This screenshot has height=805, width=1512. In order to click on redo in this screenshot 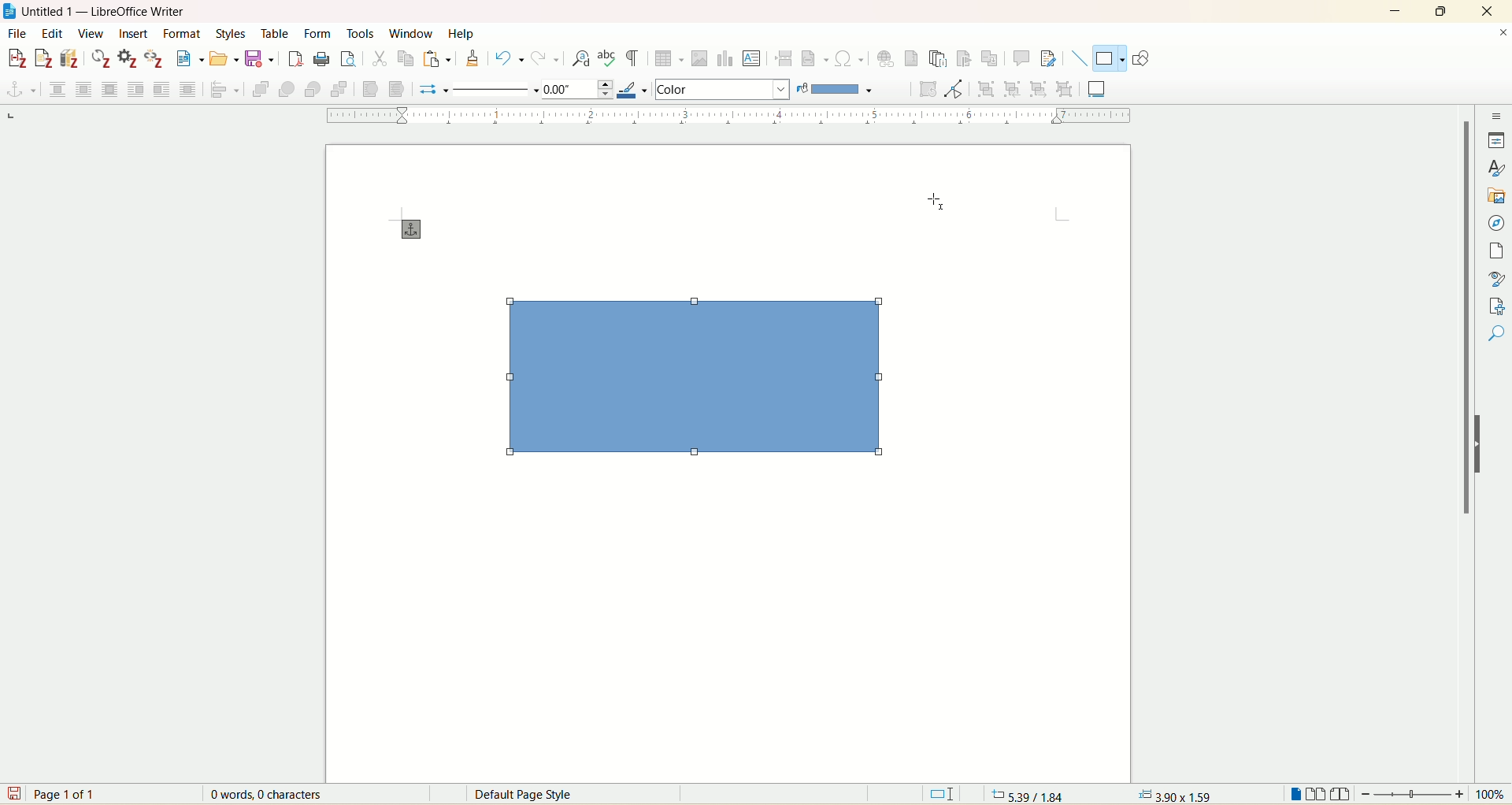, I will do `click(543, 59)`.